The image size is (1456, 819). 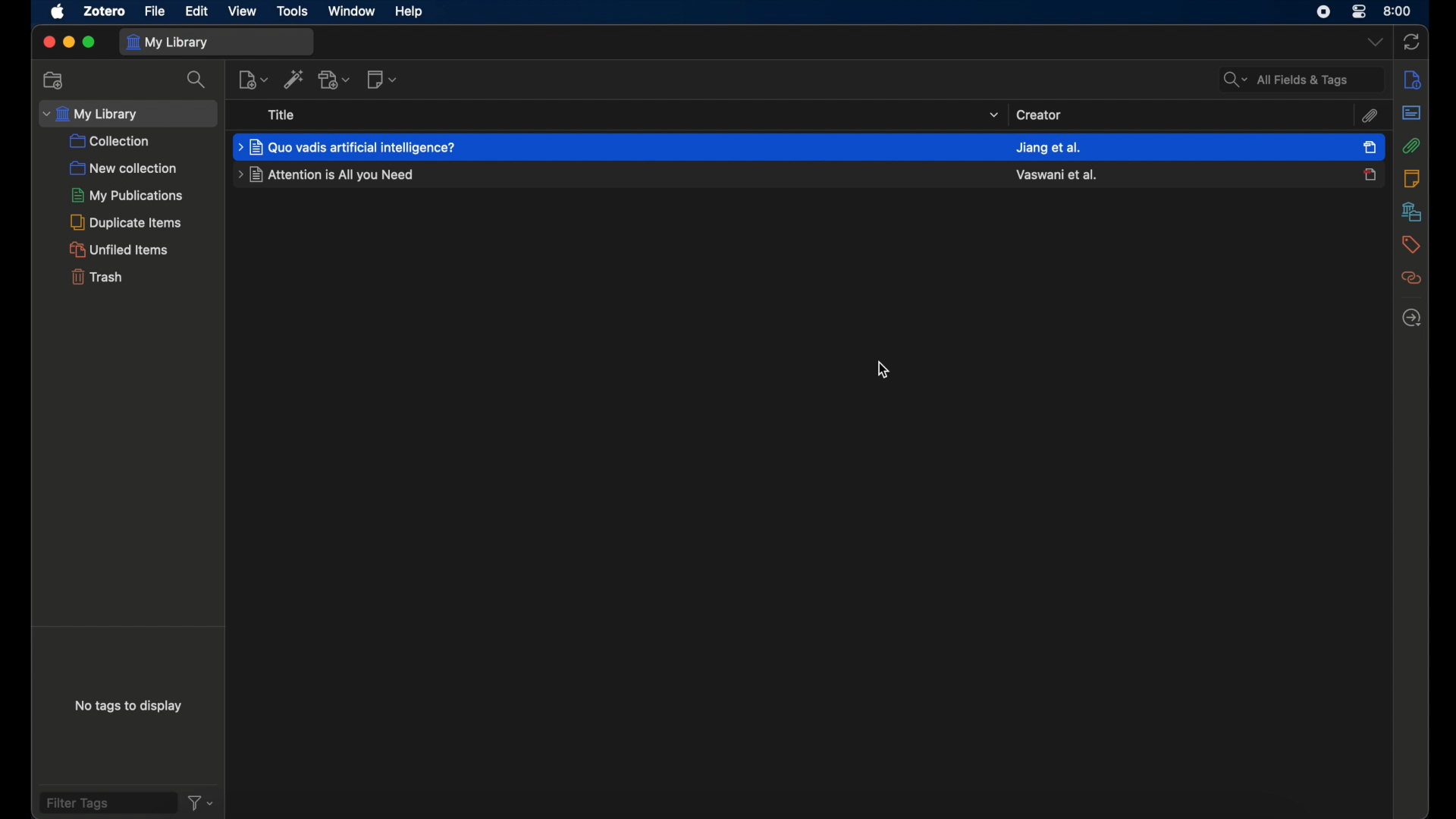 What do you see at coordinates (1324, 11) in the screenshot?
I see `screen recorder` at bounding box center [1324, 11].